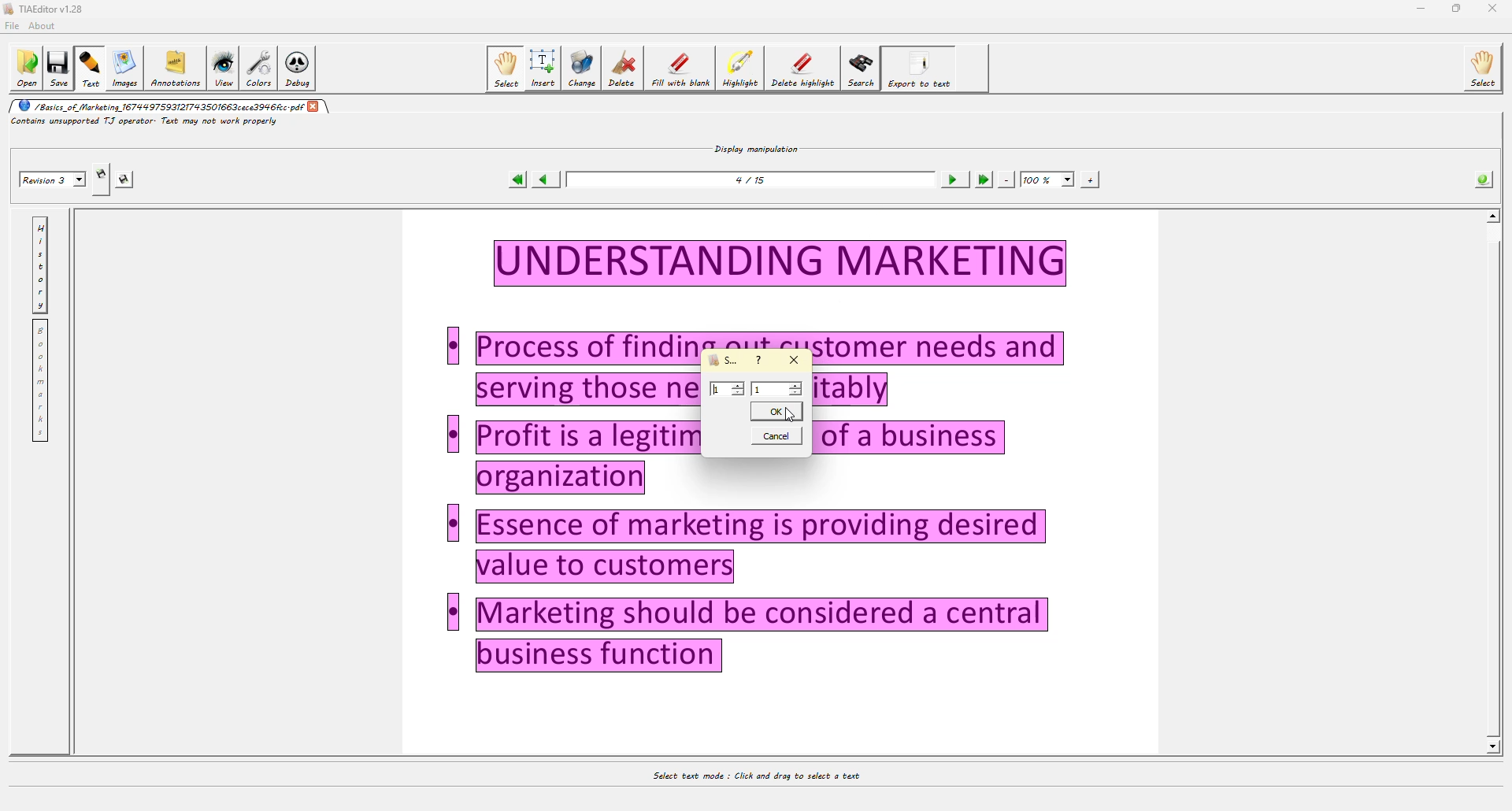 The width and height of the screenshot is (1512, 811). What do you see at coordinates (862, 67) in the screenshot?
I see `search` at bounding box center [862, 67].